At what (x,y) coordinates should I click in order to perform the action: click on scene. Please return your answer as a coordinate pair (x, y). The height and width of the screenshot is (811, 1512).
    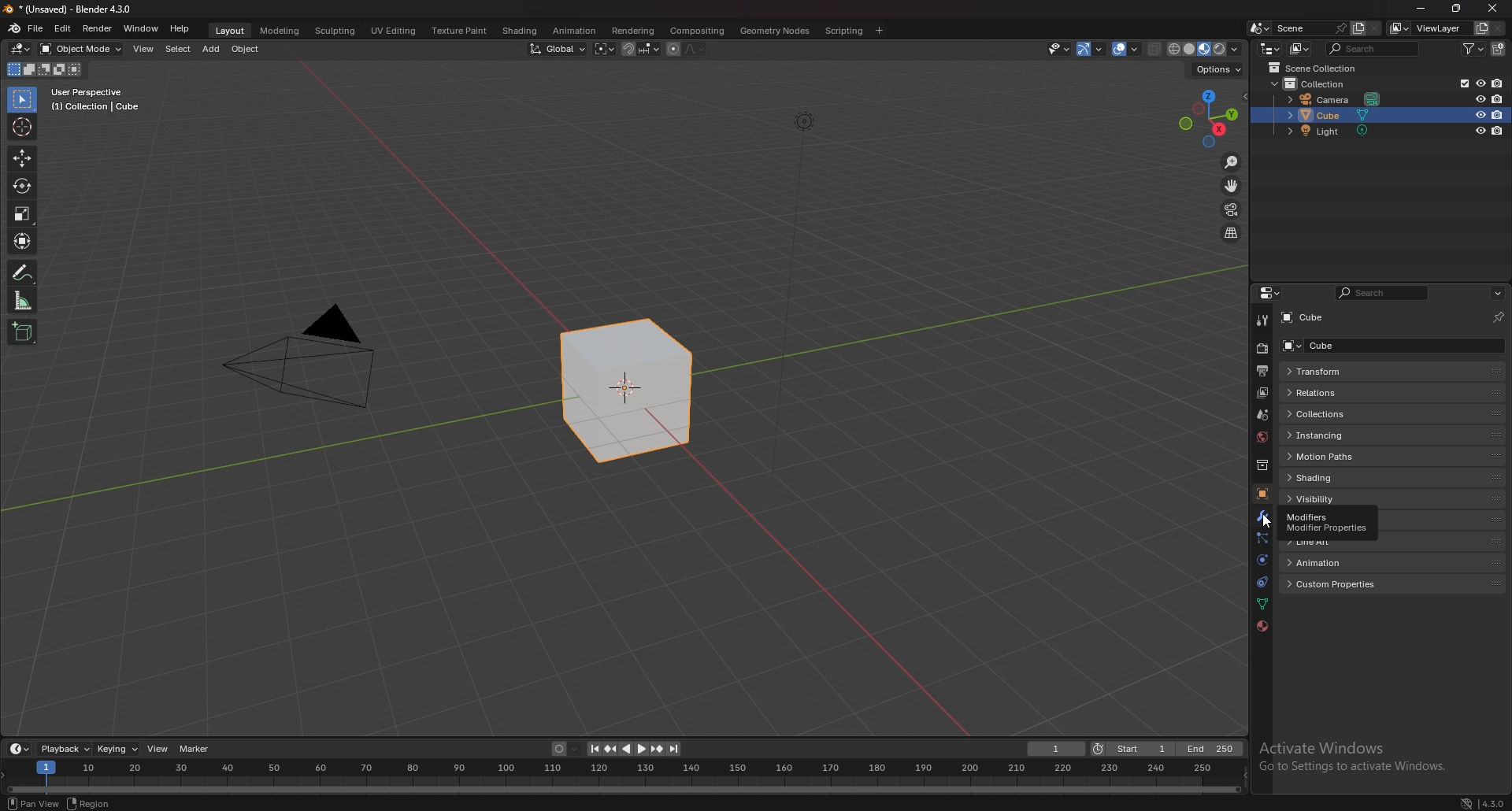
    Looking at the image, I should click on (1309, 28).